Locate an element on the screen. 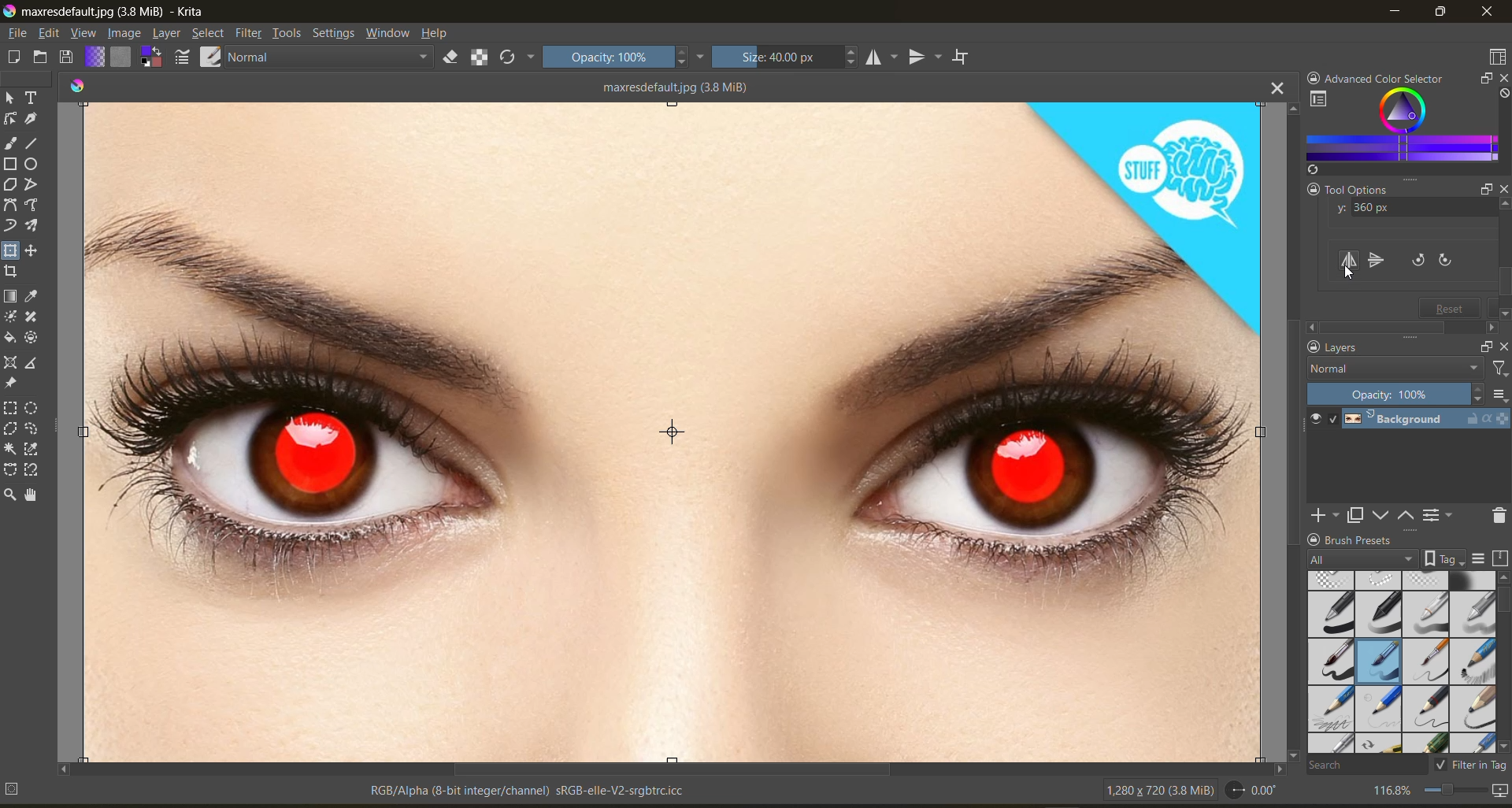  filter in tag is located at coordinates (1473, 766).